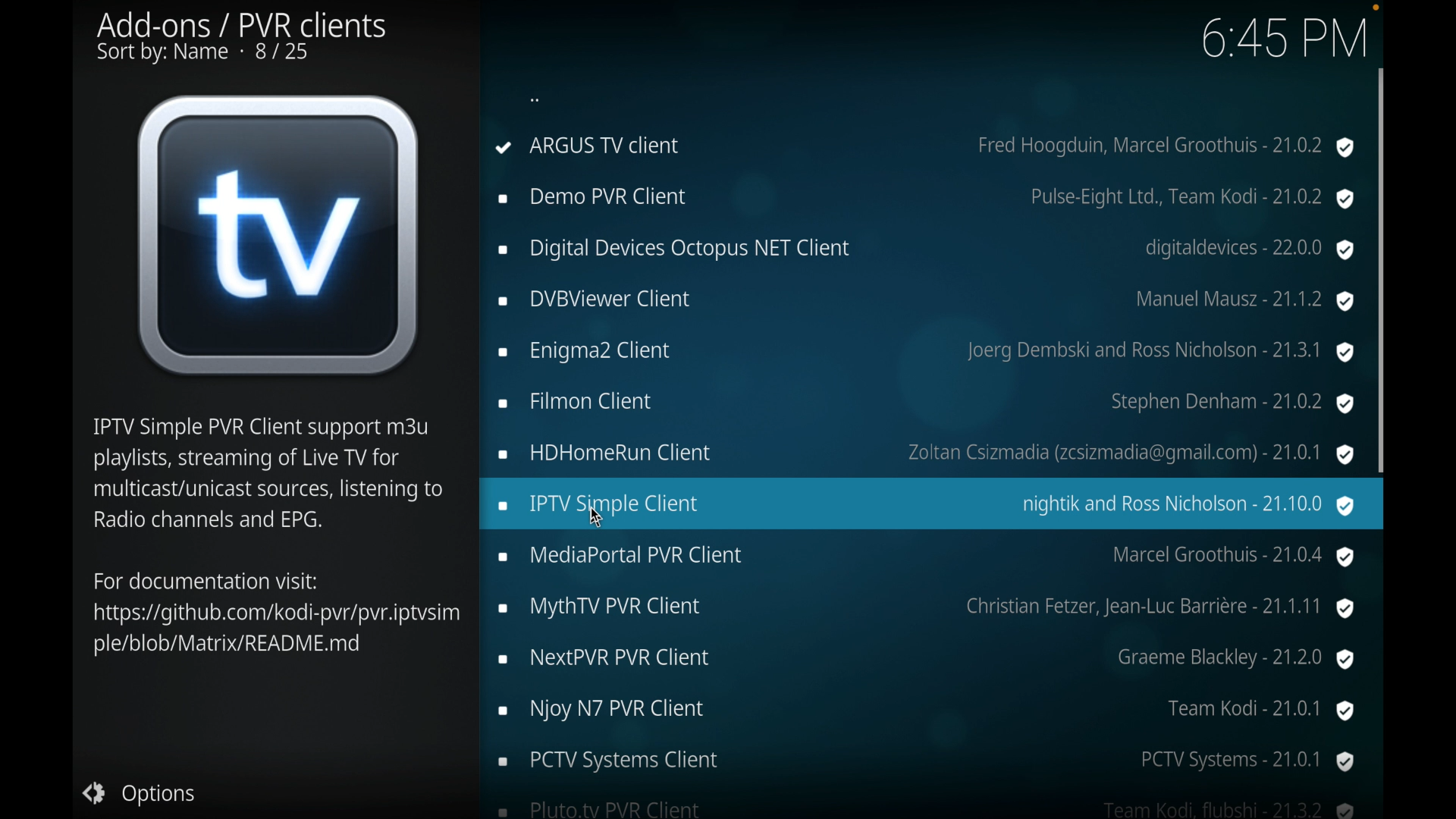 Image resolution: width=1456 pixels, height=819 pixels. What do you see at coordinates (596, 521) in the screenshot?
I see `cursor` at bounding box center [596, 521].